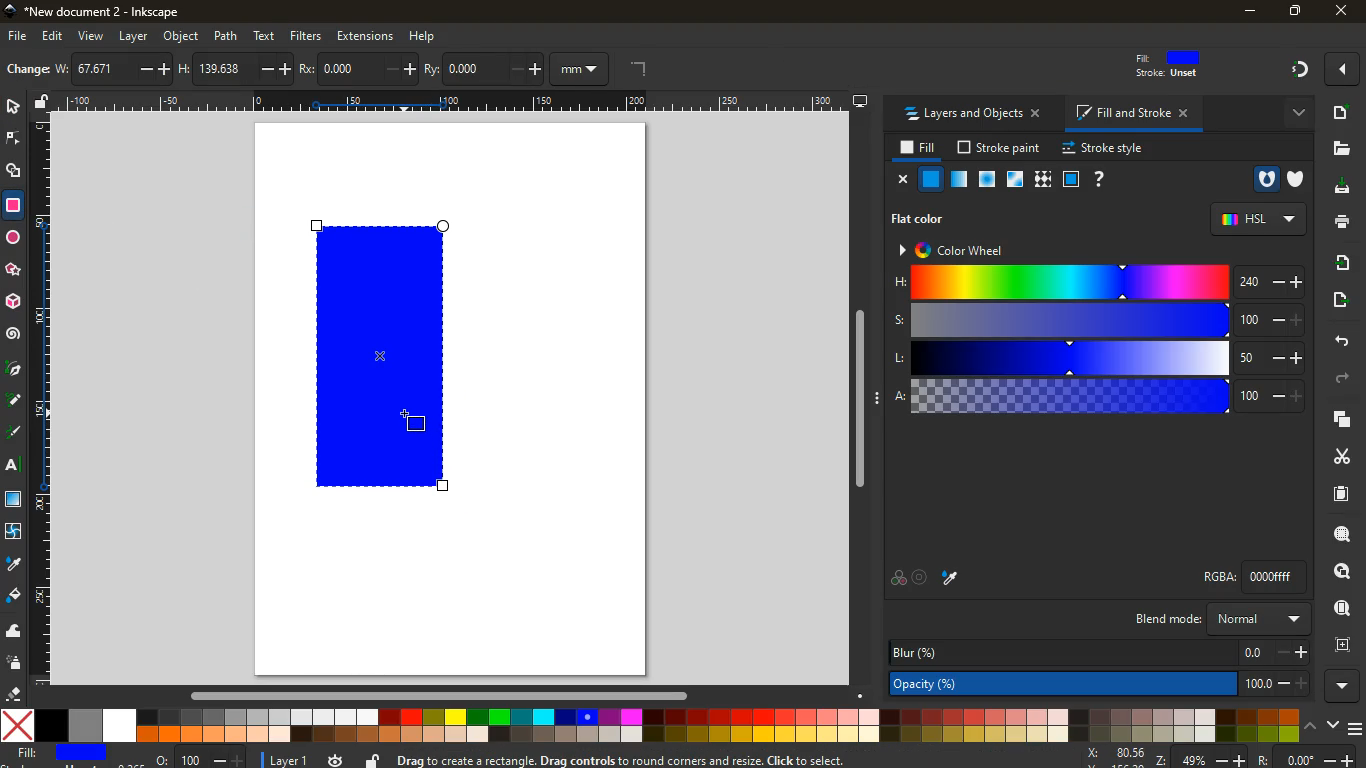 The image size is (1366, 768). What do you see at coordinates (1261, 220) in the screenshot?
I see `hsl` at bounding box center [1261, 220].